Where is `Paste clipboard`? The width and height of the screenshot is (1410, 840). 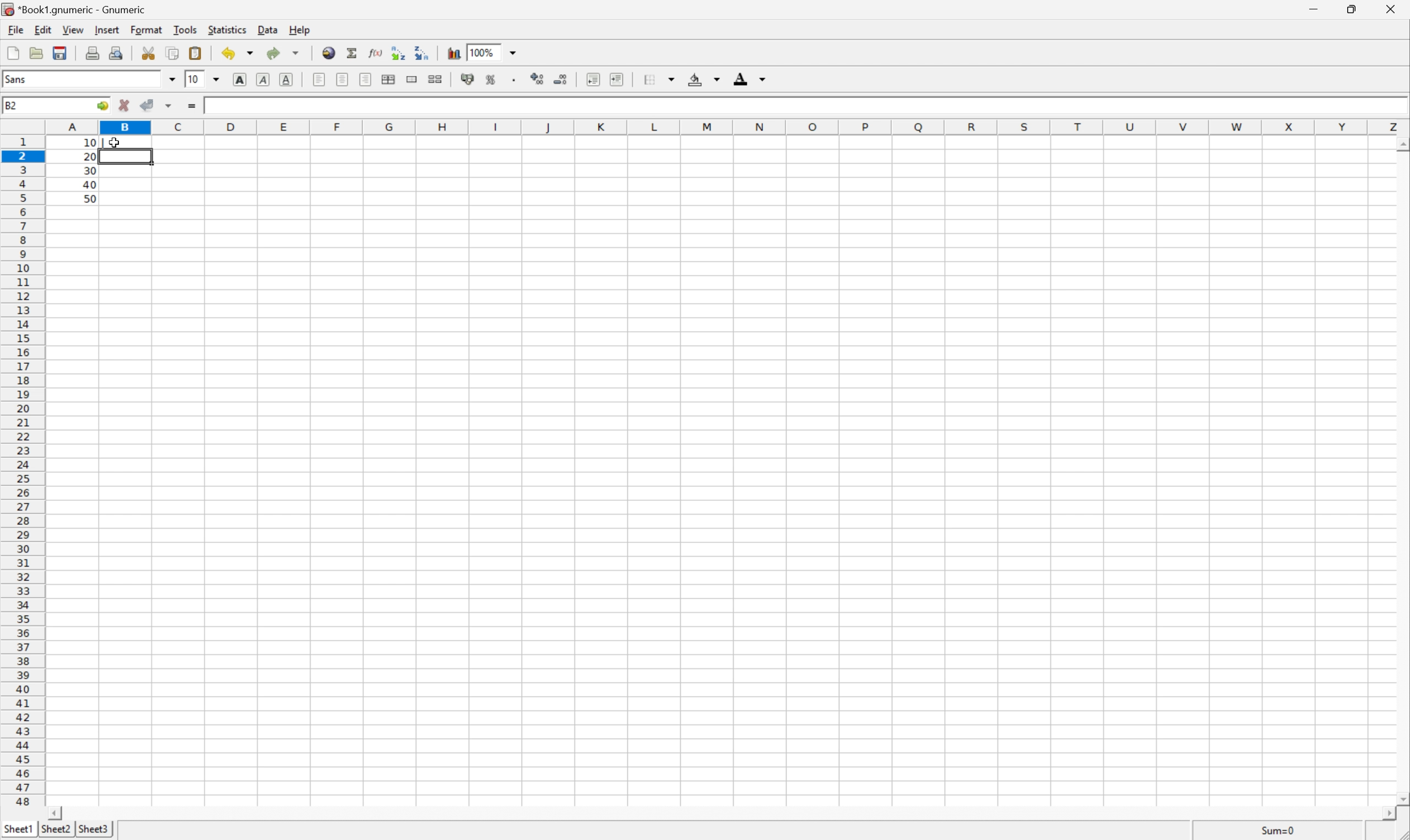
Paste clipboard is located at coordinates (195, 53).